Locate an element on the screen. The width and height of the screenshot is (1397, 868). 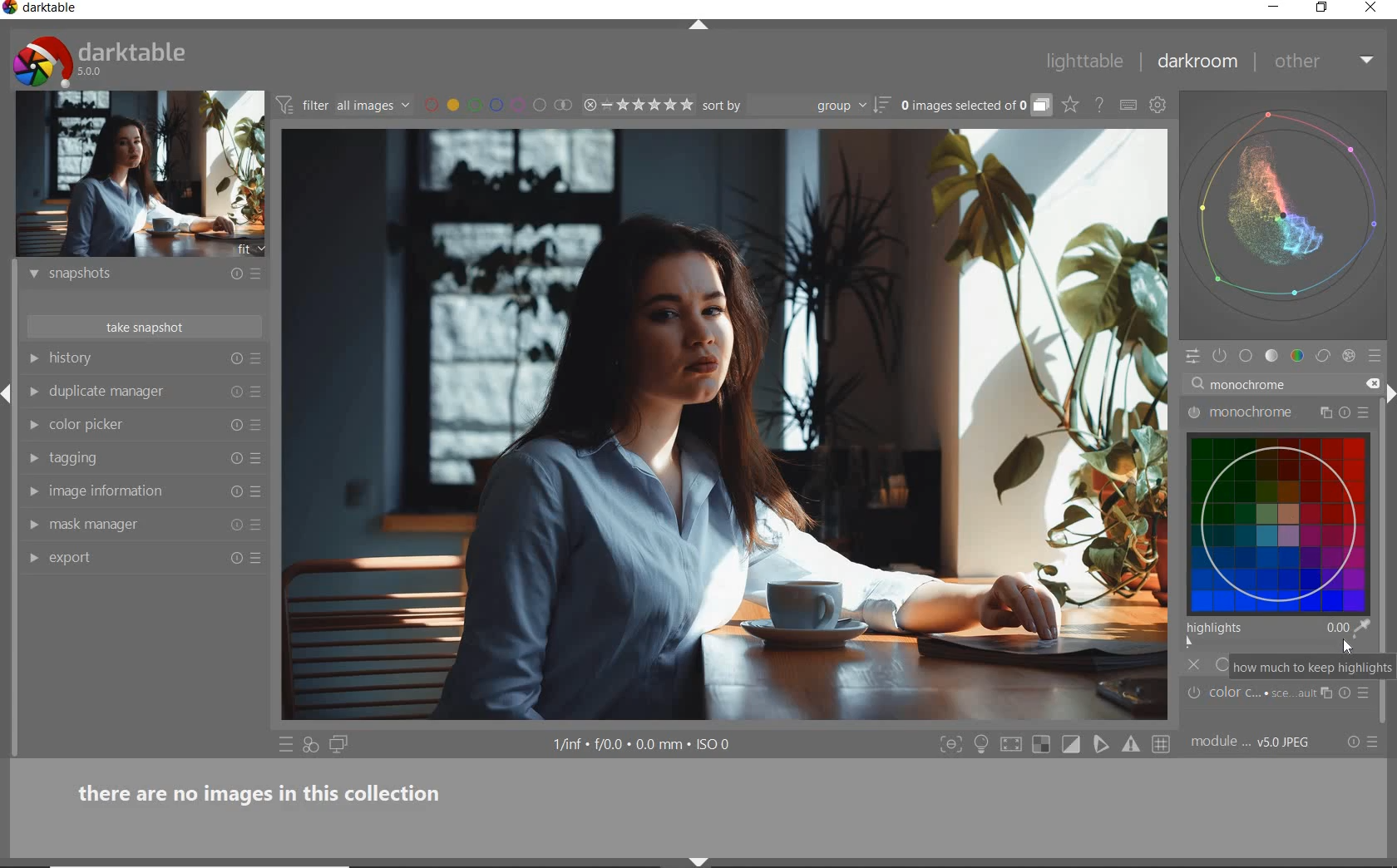
monochrome is located at coordinates (1256, 413).